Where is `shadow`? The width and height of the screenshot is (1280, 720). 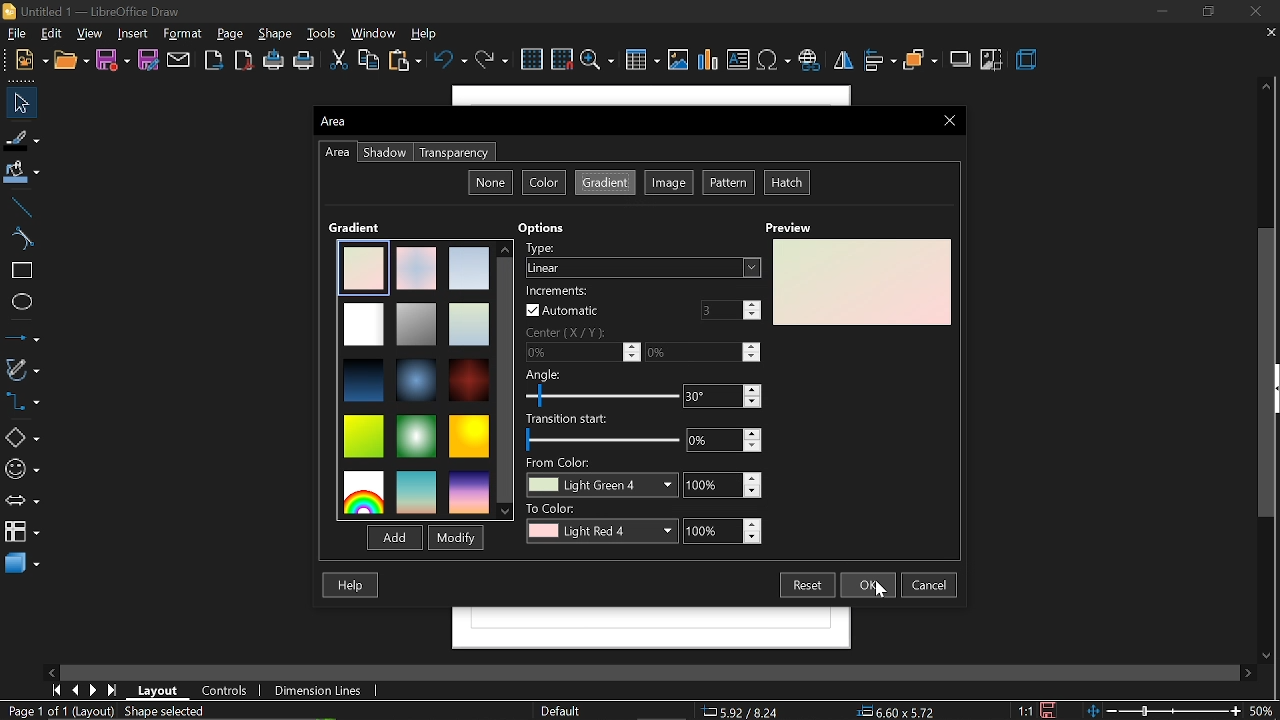 shadow is located at coordinates (385, 153).